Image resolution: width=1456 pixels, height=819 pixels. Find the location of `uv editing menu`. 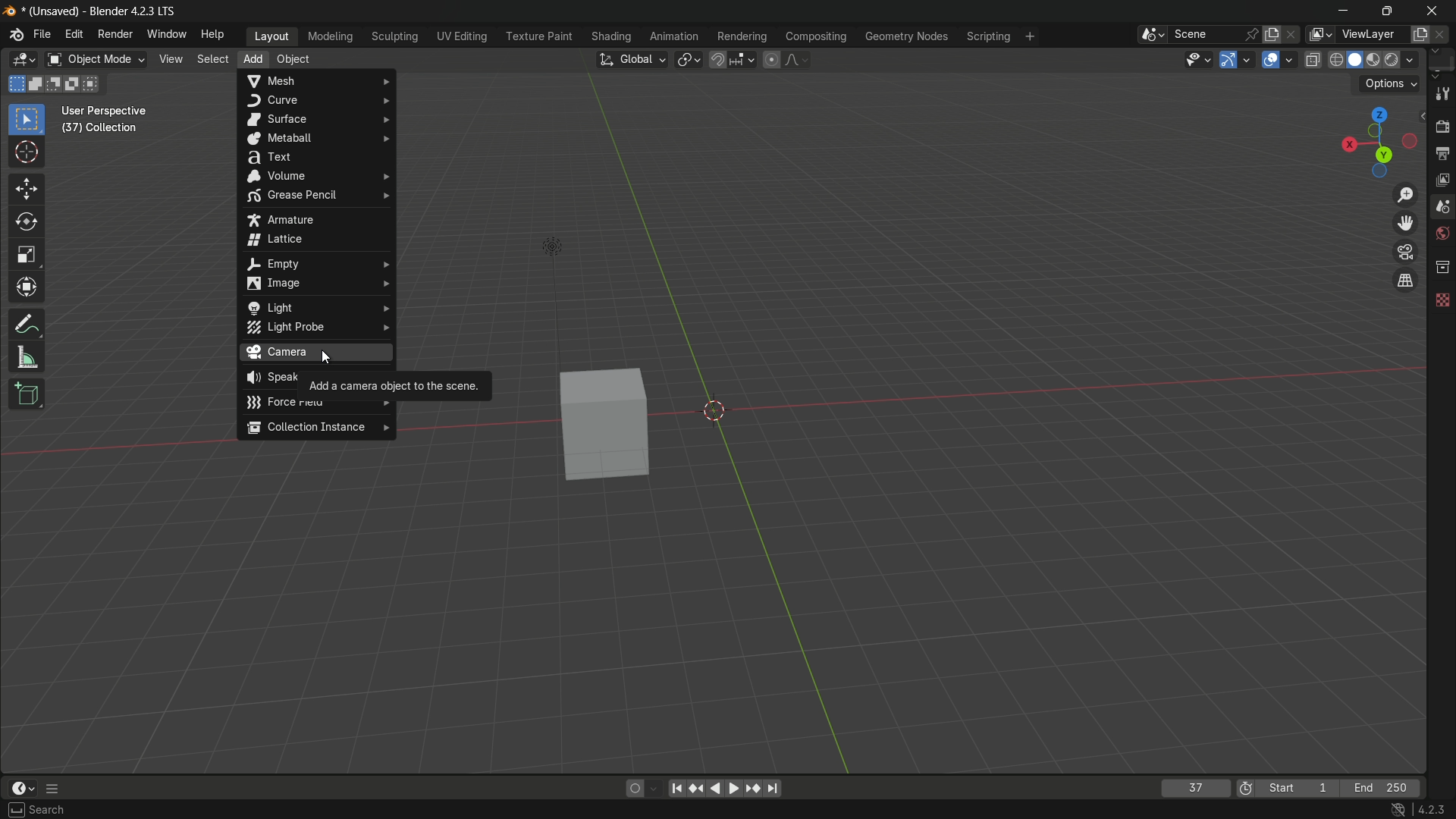

uv editing menu is located at coordinates (462, 36).